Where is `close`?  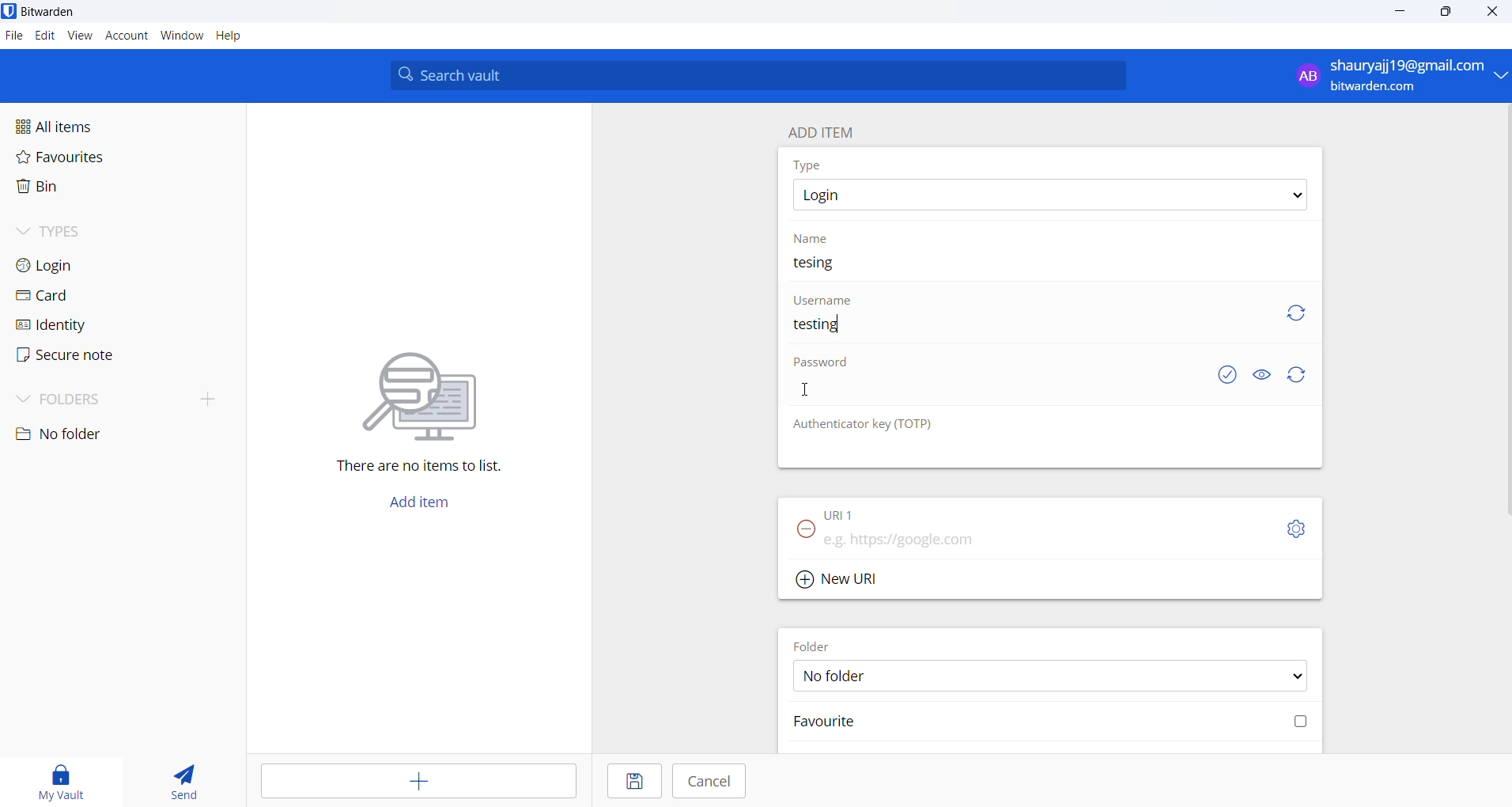 close is located at coordinates (1493, 13).